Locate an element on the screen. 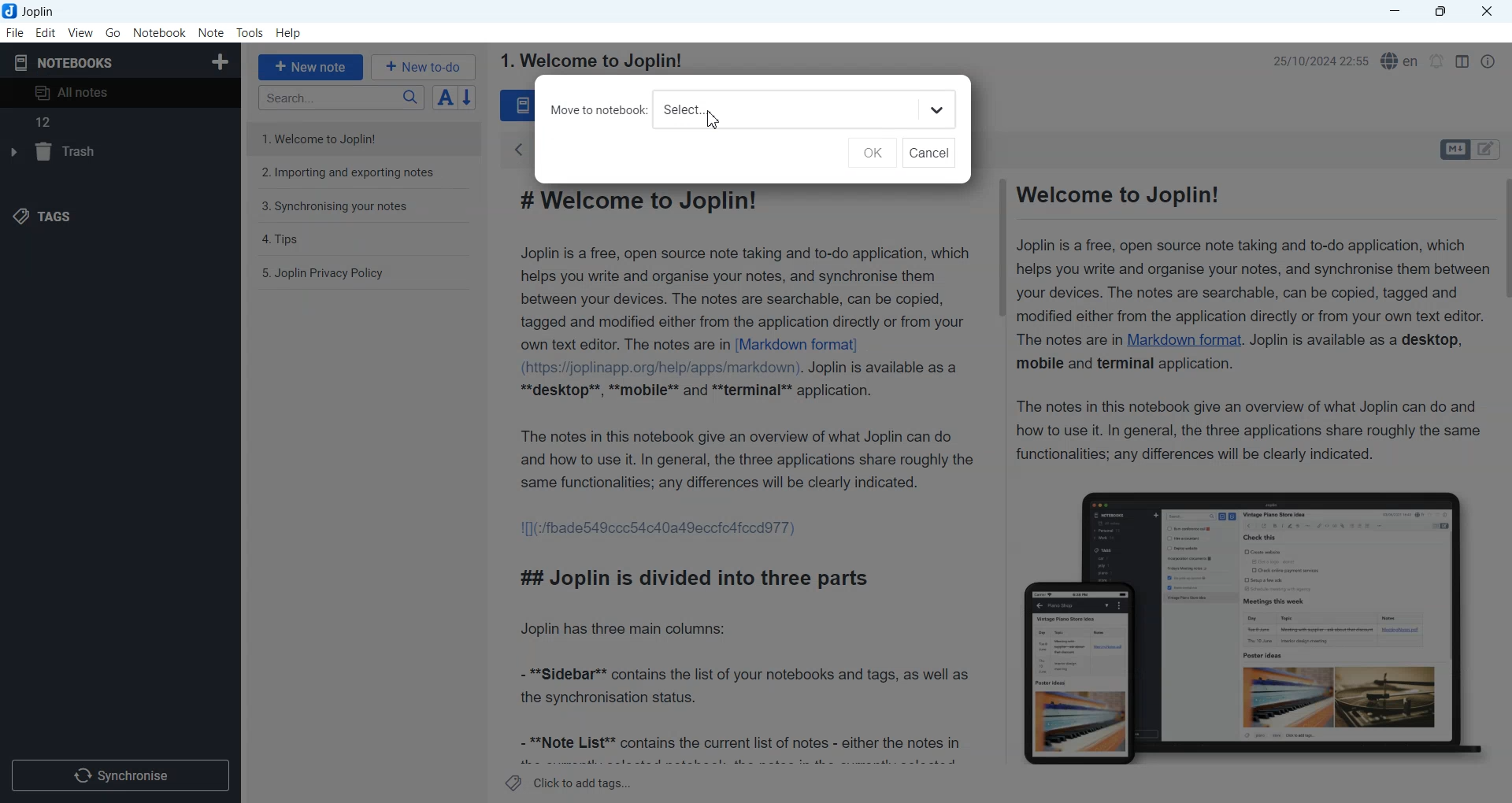 The width and height of the screenshot is (1512, 803). Tags is located at coordinates (48, 215).